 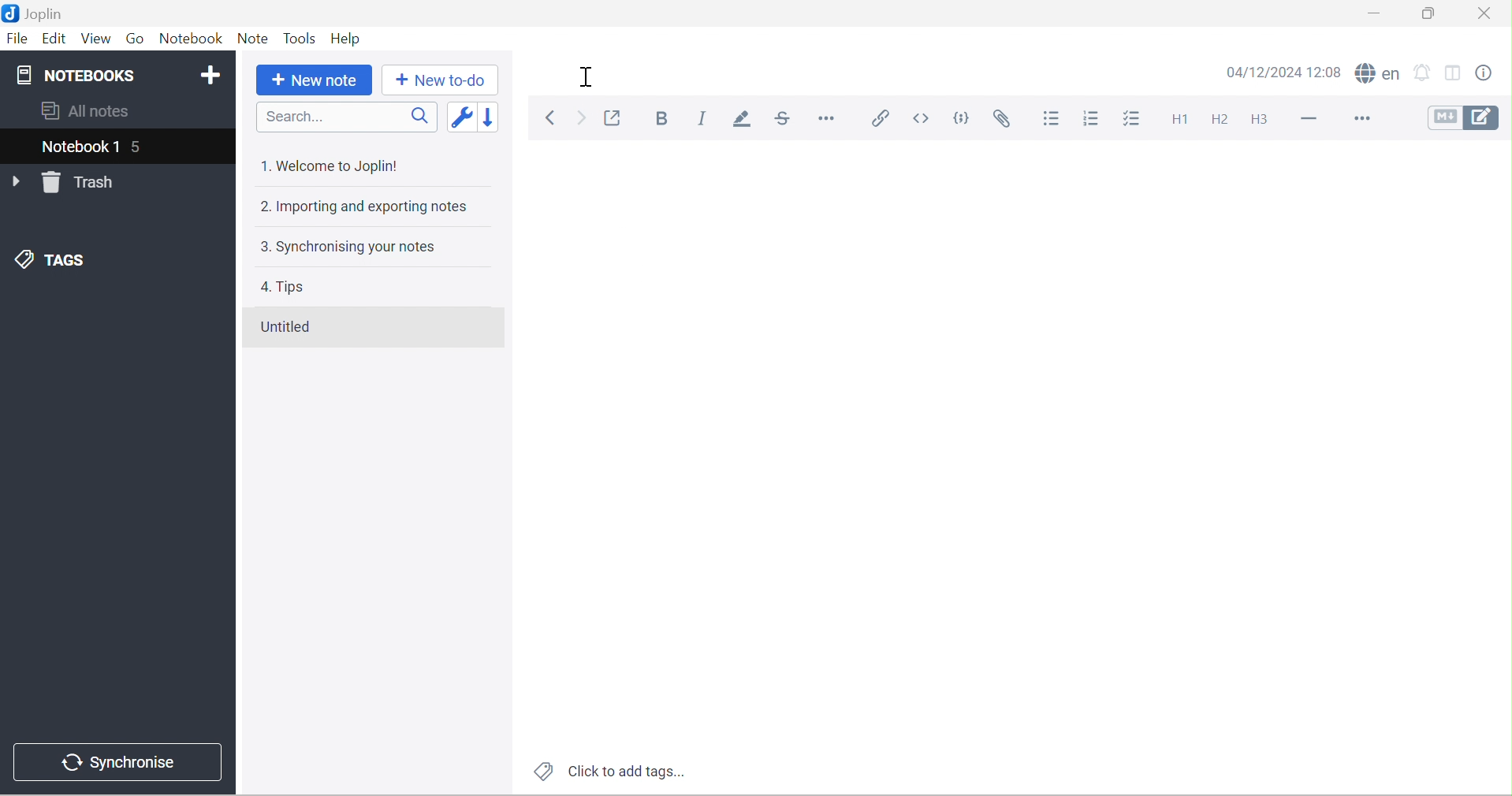 I want to click on Horizontal line, so click(x=1304, y=121).